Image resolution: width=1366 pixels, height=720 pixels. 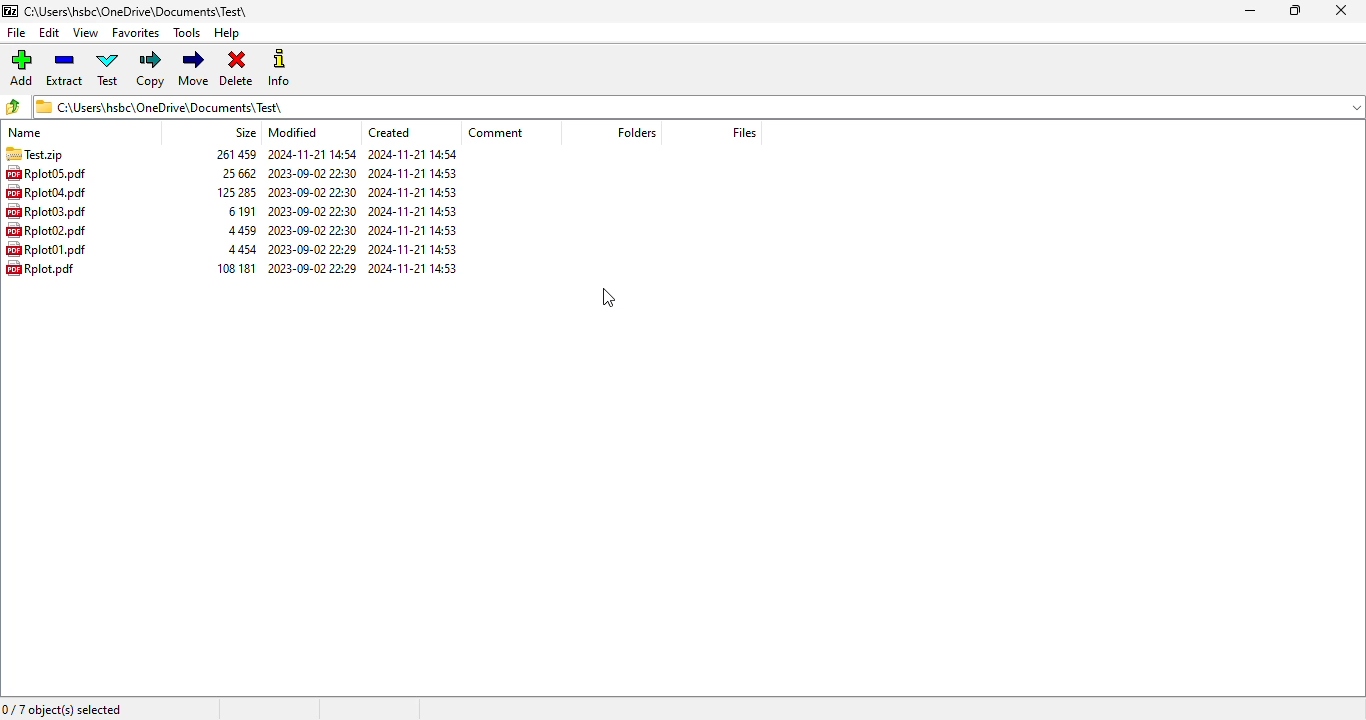 I want to click on name, so click(x=25, y=132).